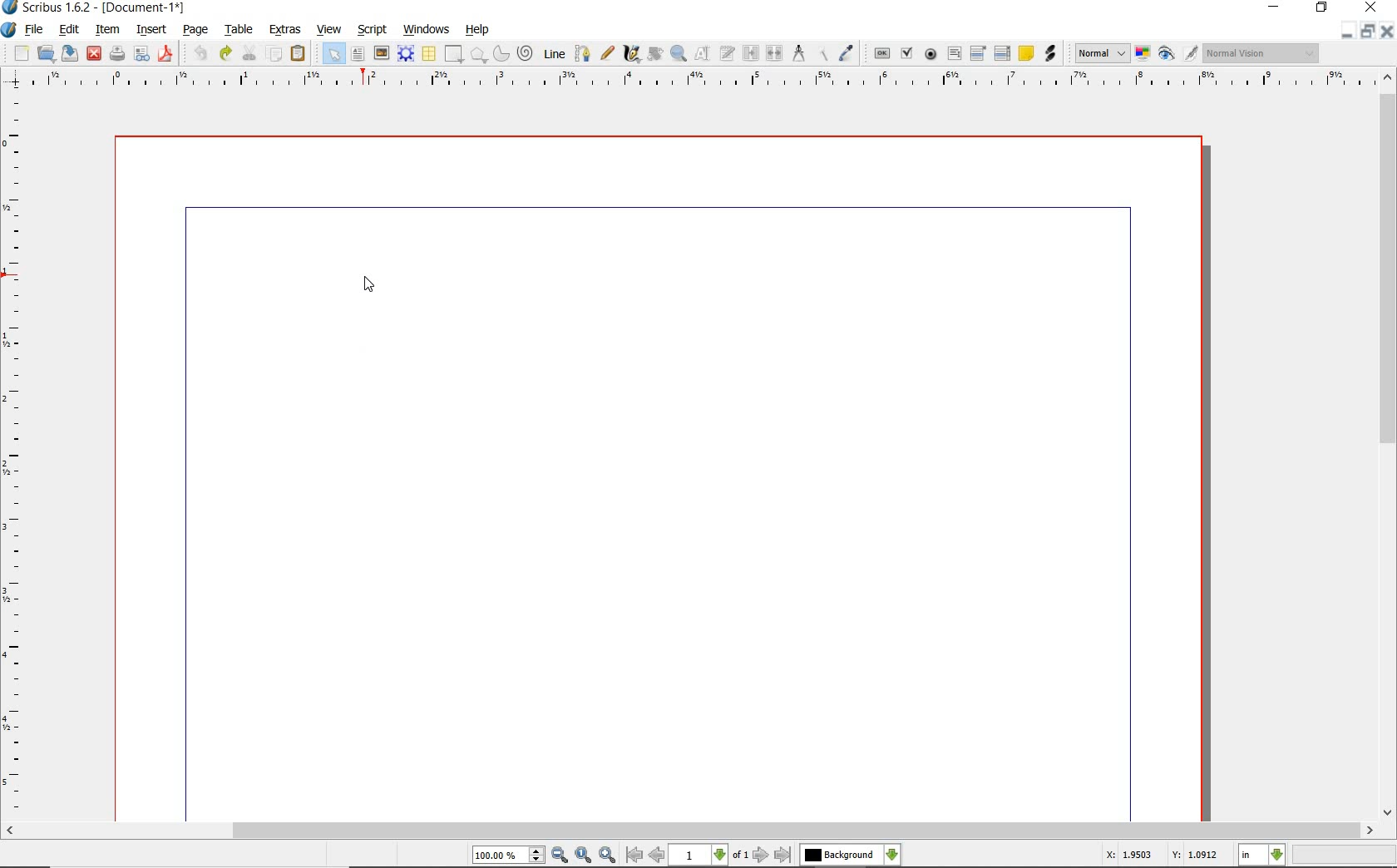 The height and width of the screenshot is (868, 1397). What do you see at coordinates (369, 284) in the screenshot?
I see `cursor` at bounding box center [369, 284].